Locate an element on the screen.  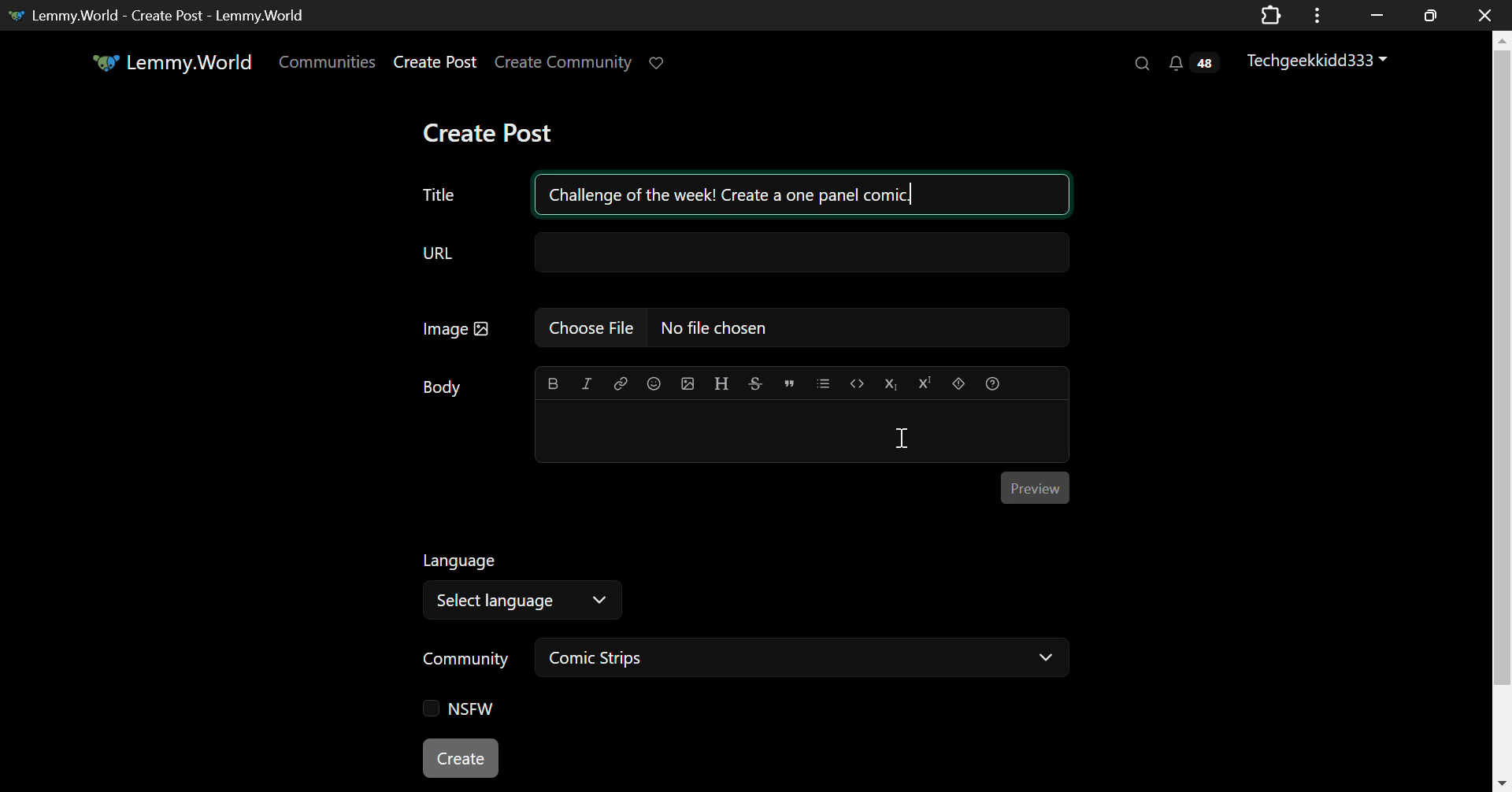
Create Post is located at coordinates (436, 65).